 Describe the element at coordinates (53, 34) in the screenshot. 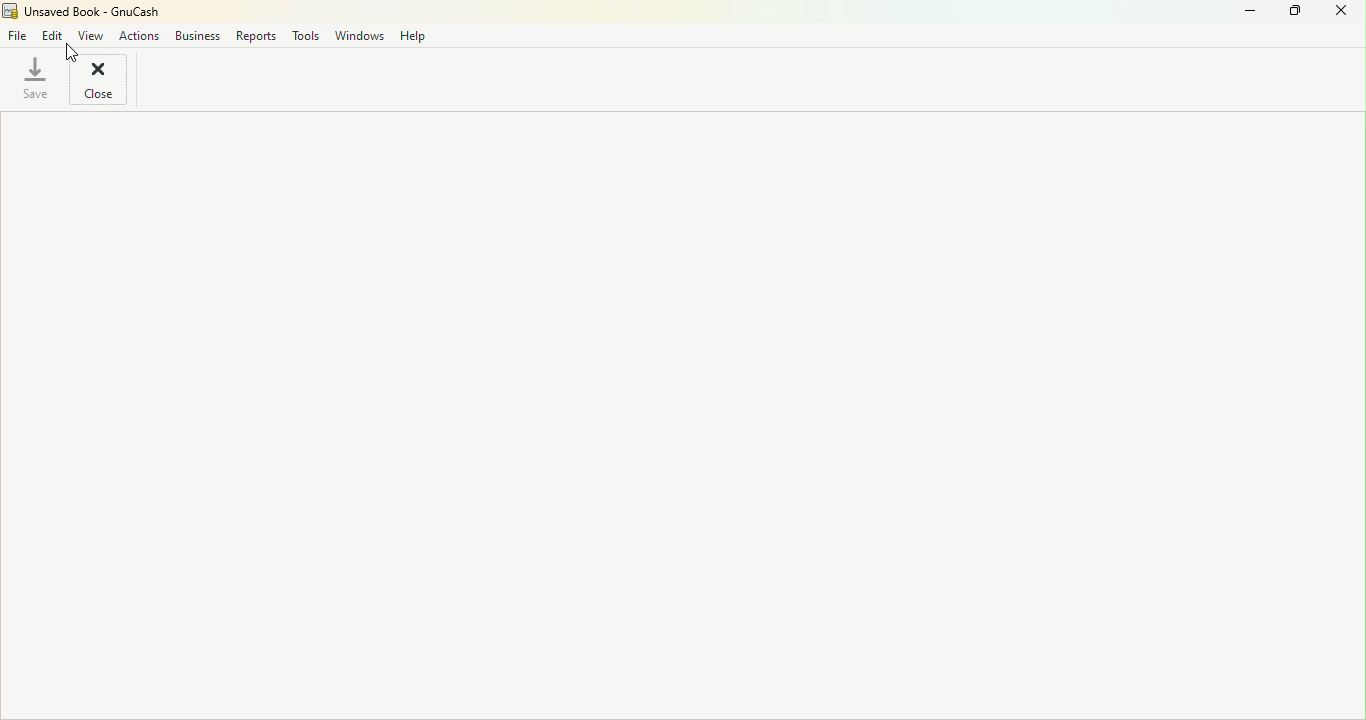

I see `Edit` at that location.